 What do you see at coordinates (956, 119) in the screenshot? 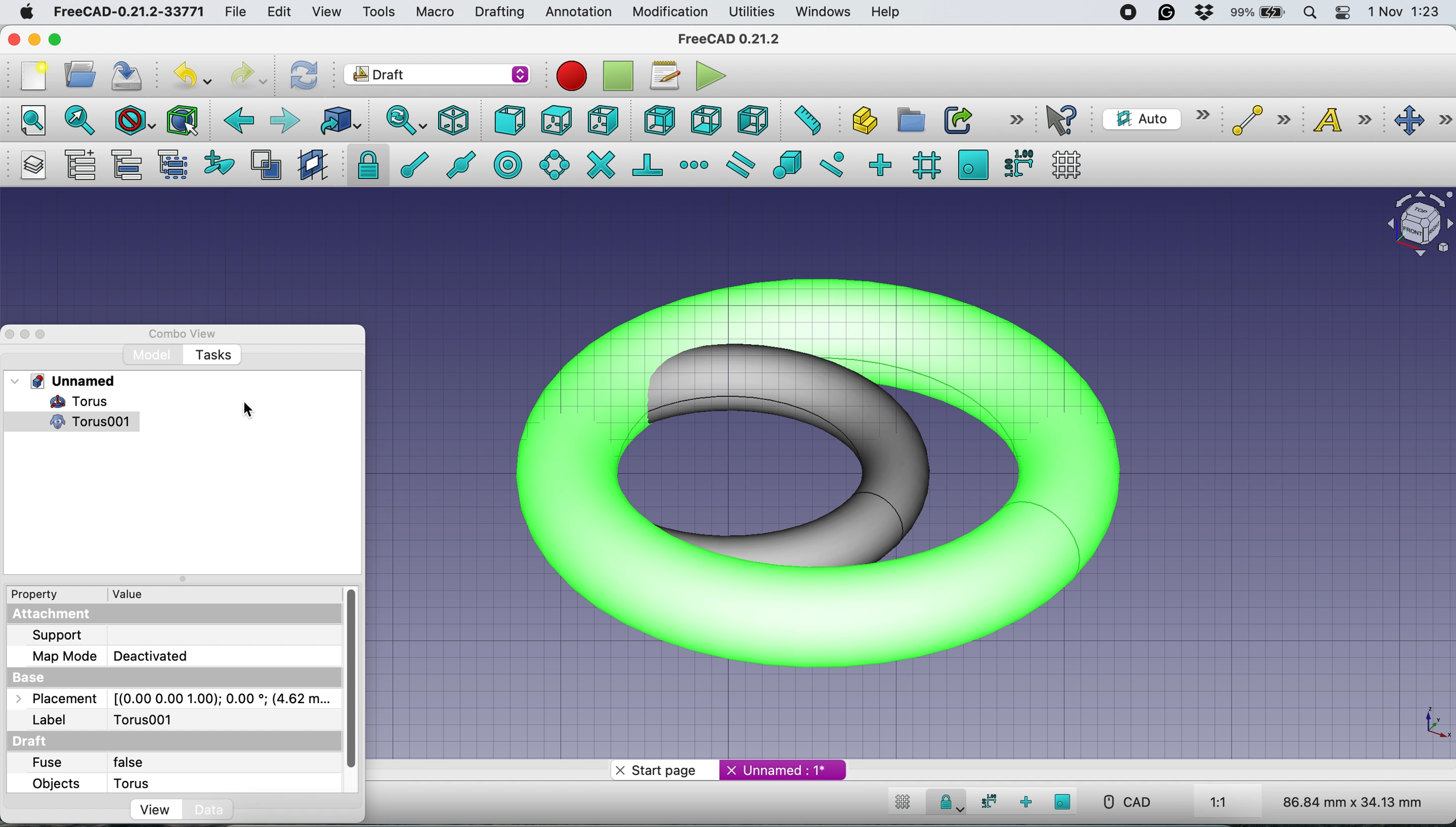
I see `make link` at bounding box center [956, 119].